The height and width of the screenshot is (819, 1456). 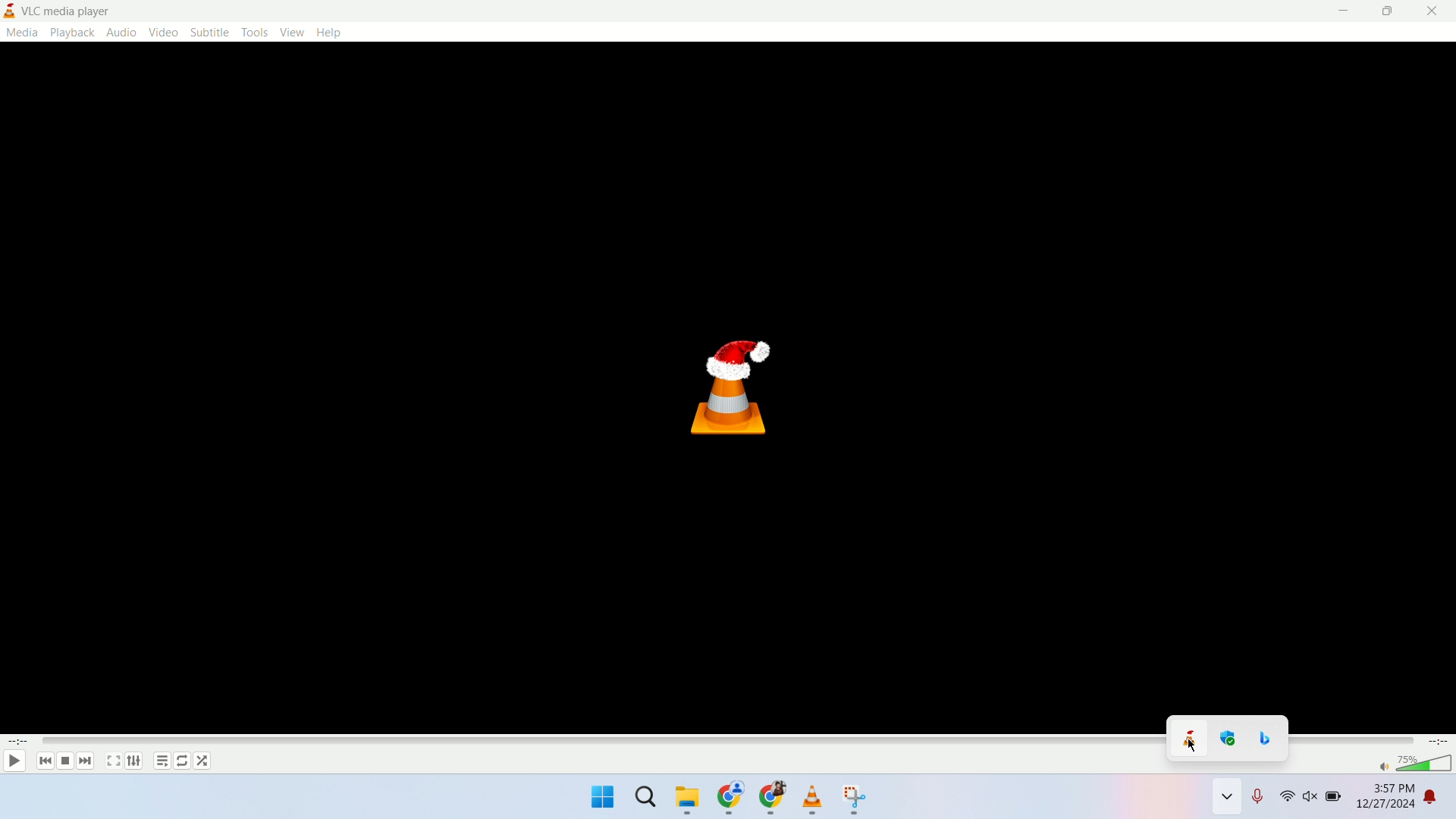 I want to click on notifications, so click(x=1441, y=800).